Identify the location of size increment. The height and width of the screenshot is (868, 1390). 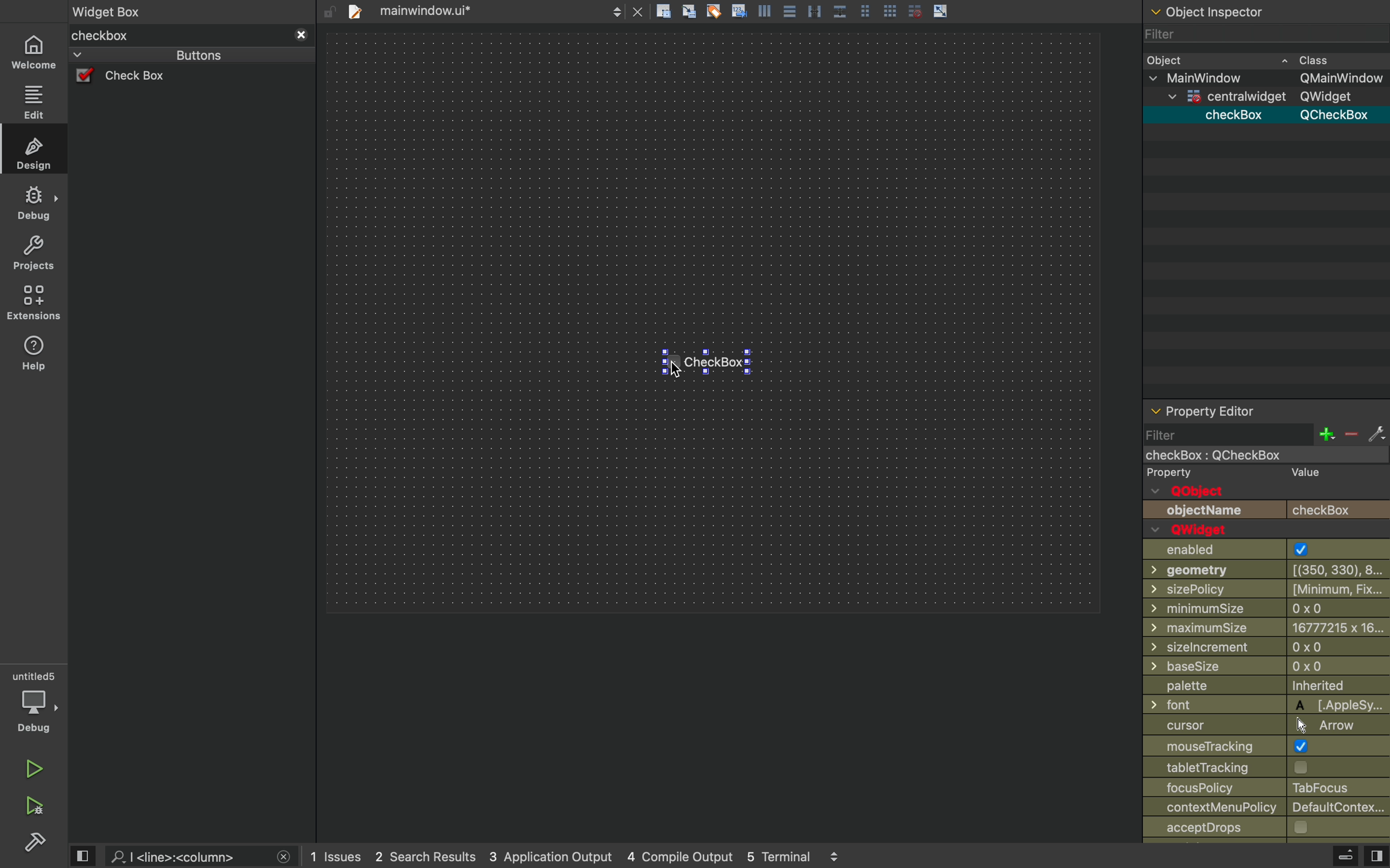
(1266, 647).